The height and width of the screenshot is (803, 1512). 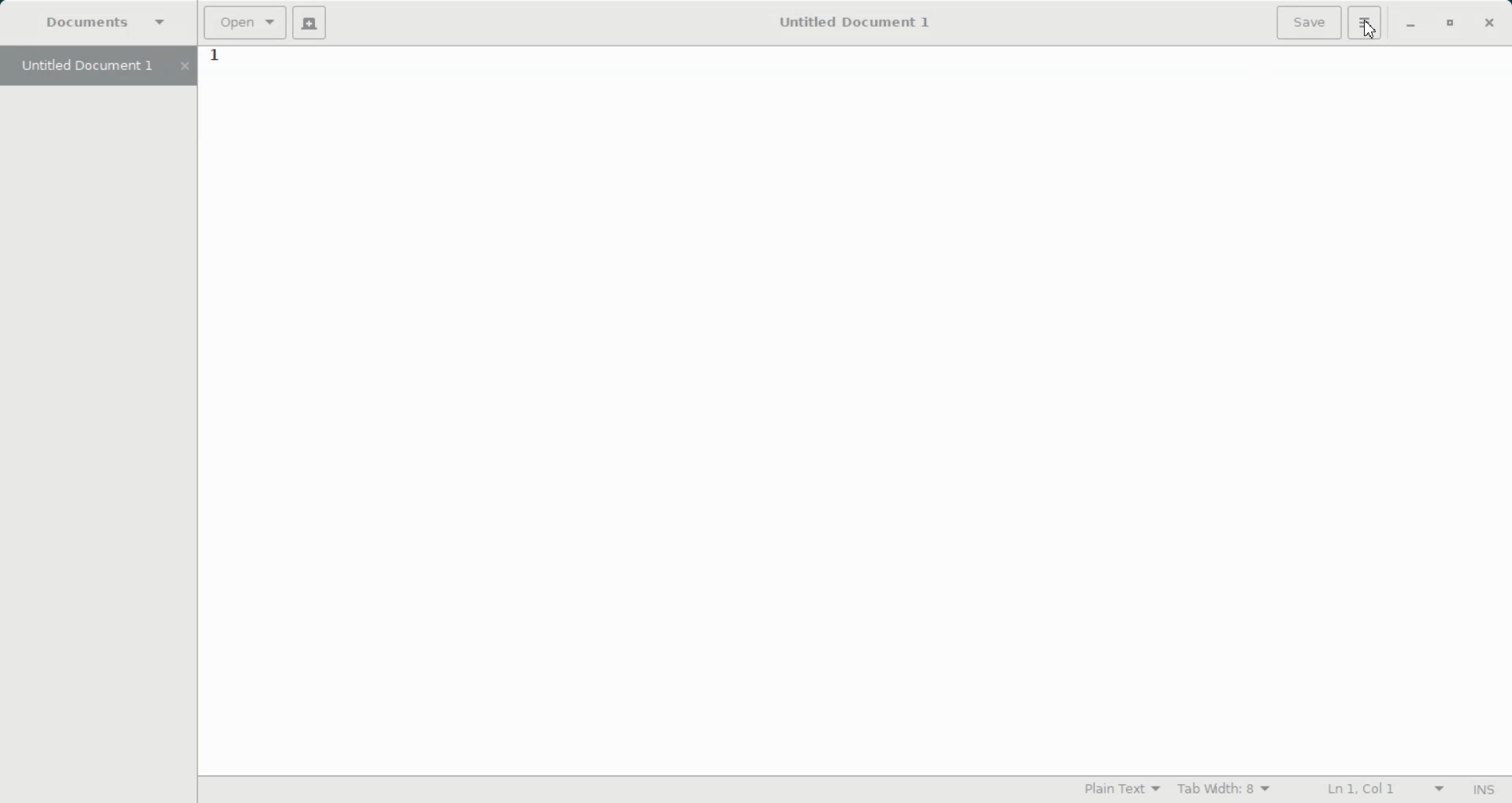 I want to click on Cursor, so click(x=1370, y=32).